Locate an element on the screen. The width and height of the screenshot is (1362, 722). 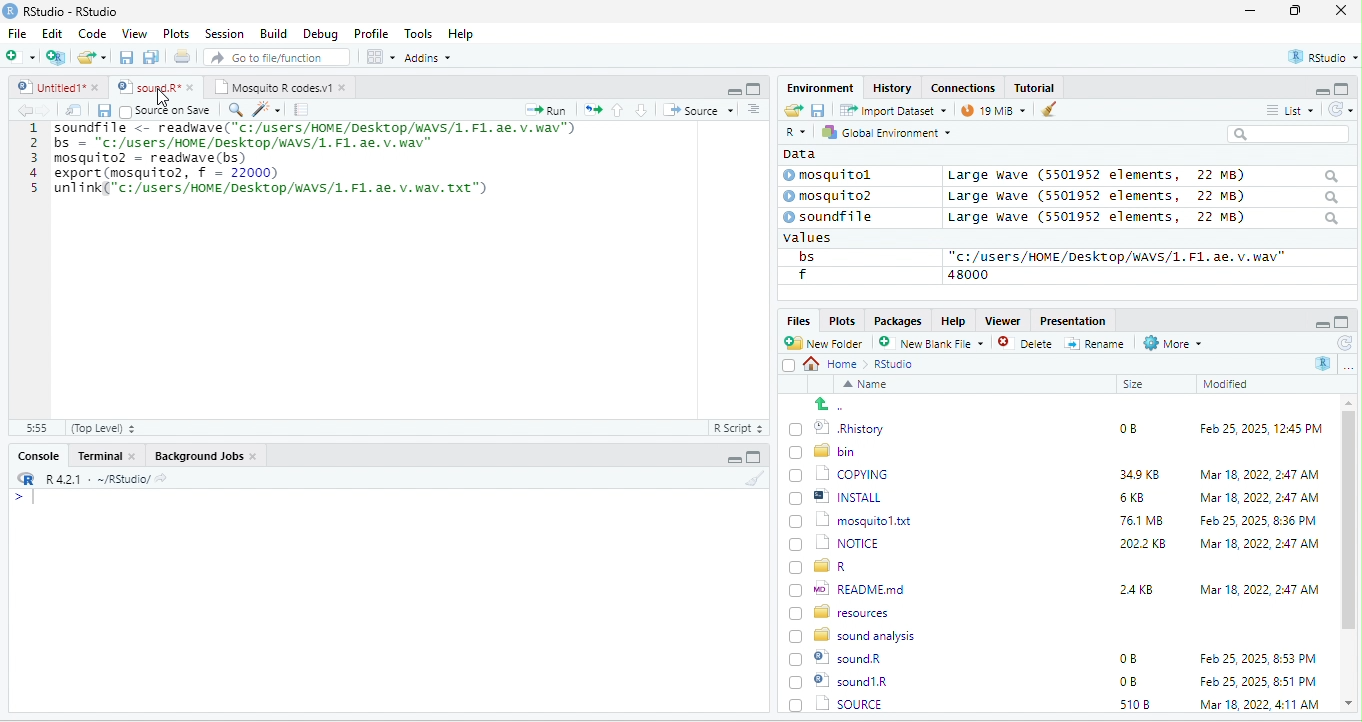
R is located at coordinates (1324, 363).